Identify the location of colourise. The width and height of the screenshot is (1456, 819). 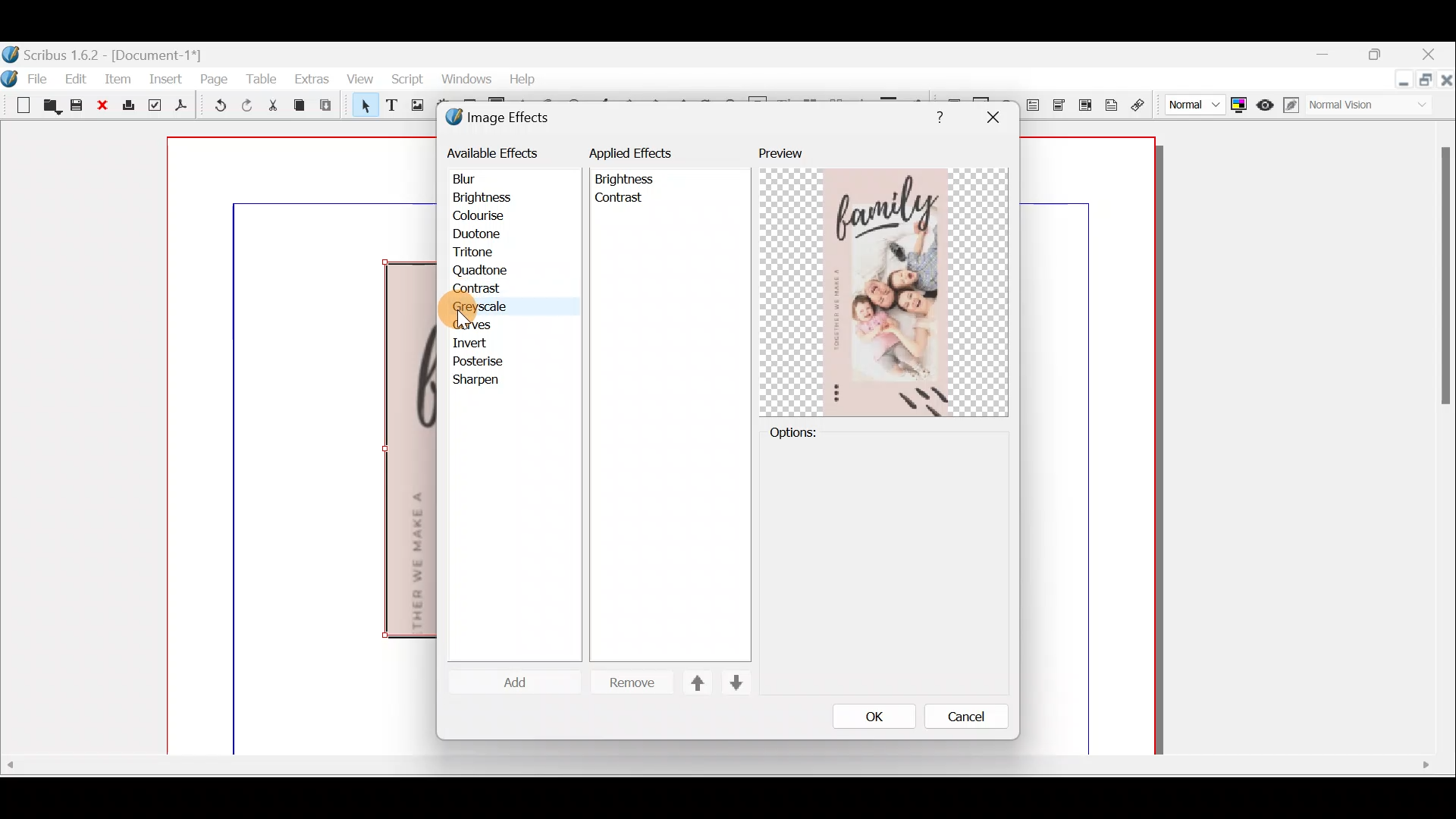
(488, 215).